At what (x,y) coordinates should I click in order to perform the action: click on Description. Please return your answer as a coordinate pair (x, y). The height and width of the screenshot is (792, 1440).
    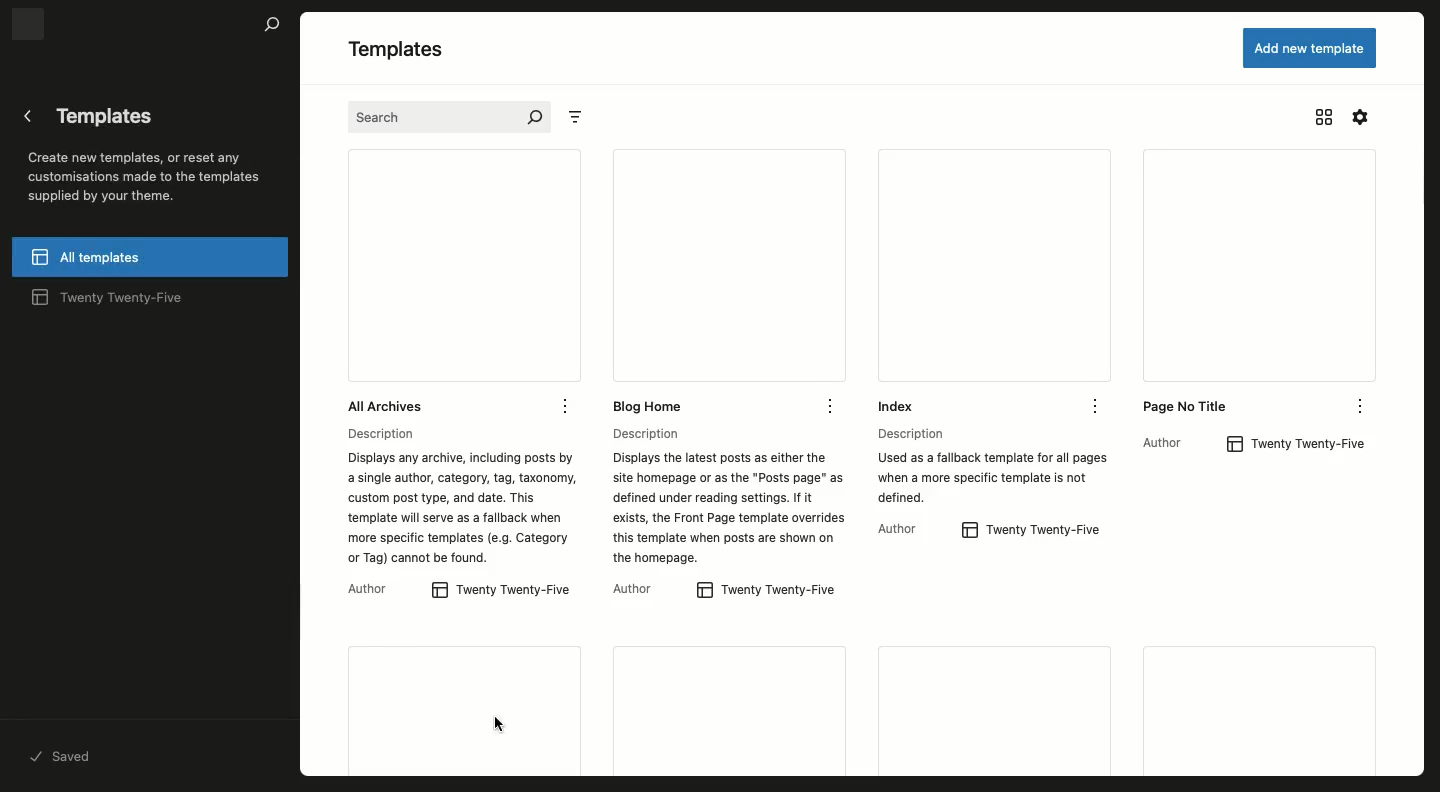
    Looking at the image, I should click on (995, 467).